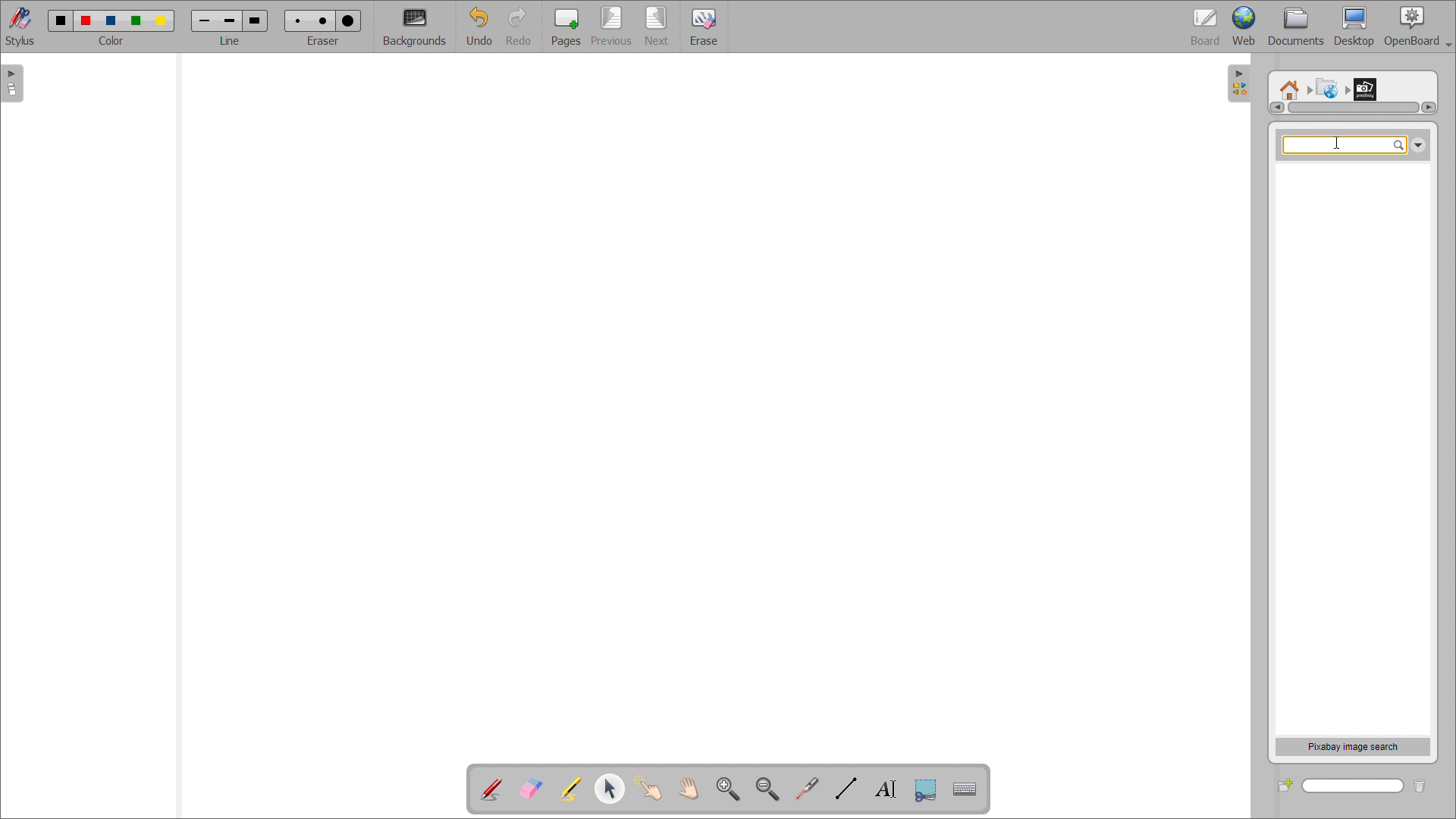 This screenshot has height=819, width=1456. What do you see at coordinates (256, 20) in the screenshot?
I see `Large line` at bounding box center [256, 20].